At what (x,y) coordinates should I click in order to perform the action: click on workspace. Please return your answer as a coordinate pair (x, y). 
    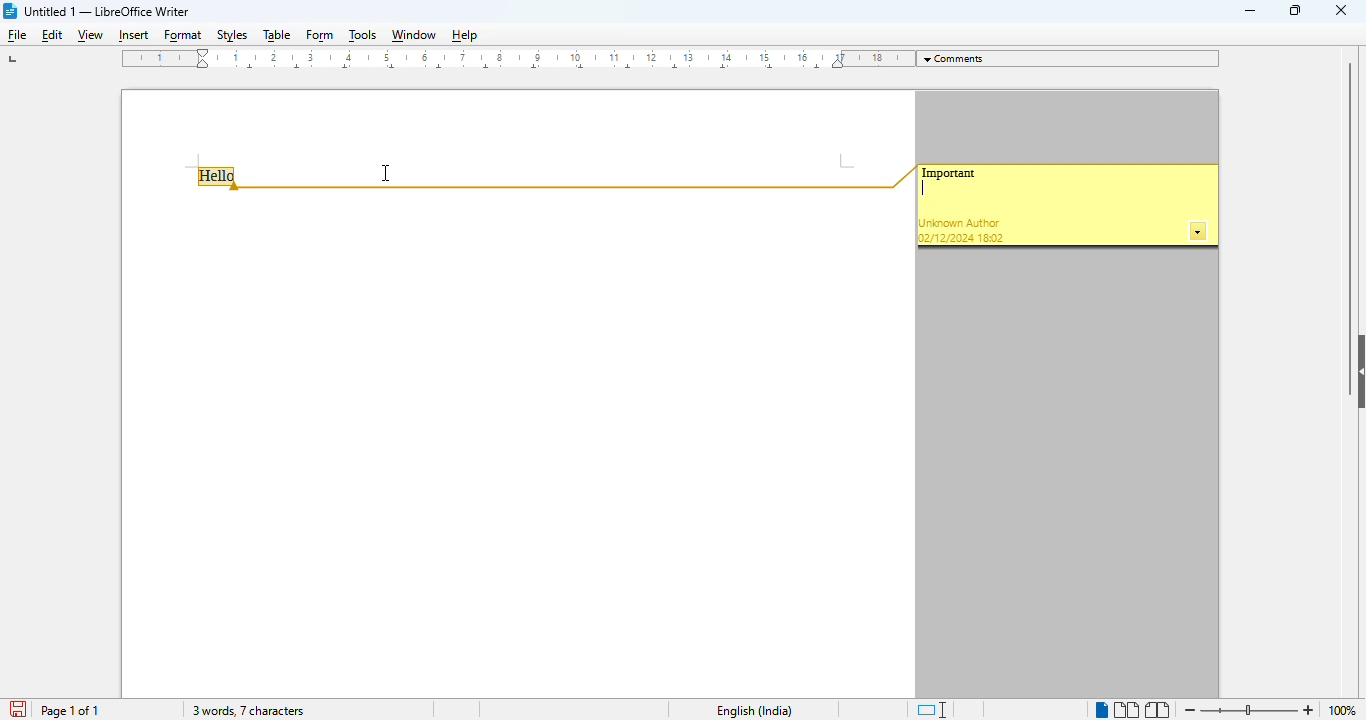
    Looking at the image, I should click on (516, 445).